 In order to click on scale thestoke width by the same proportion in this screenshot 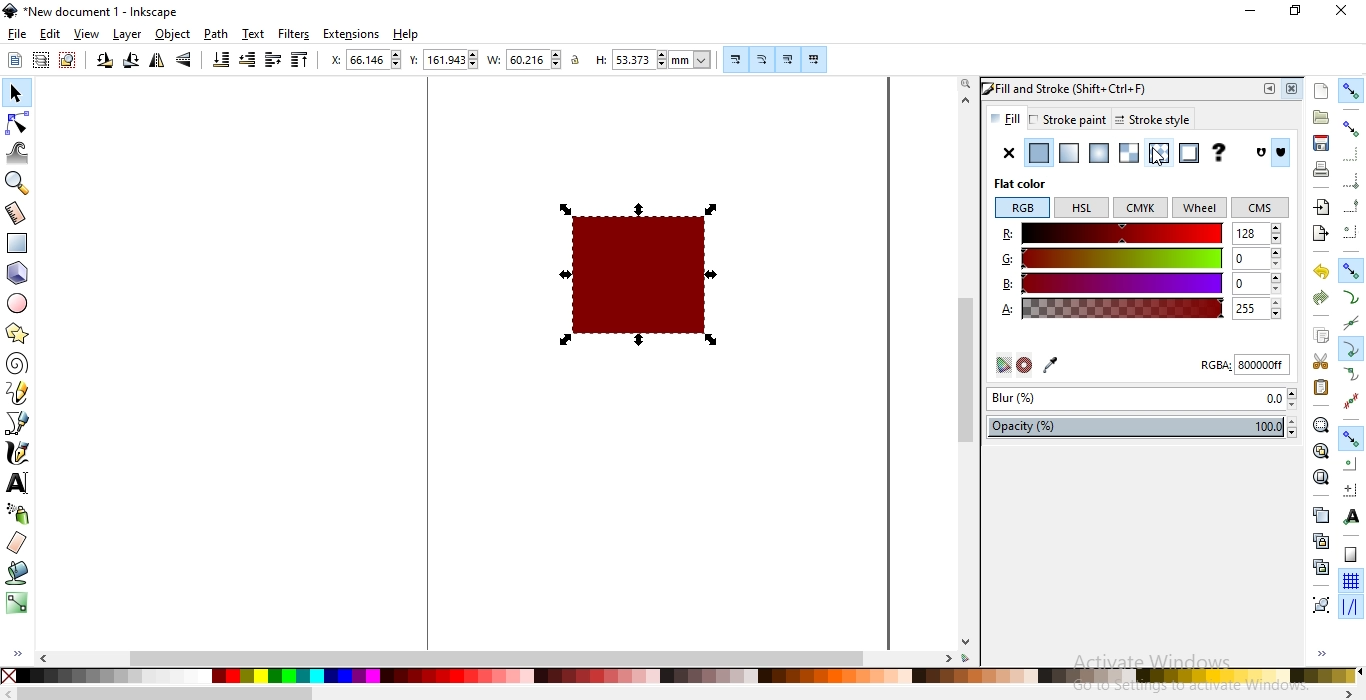, I will do `click(734, 59)`.